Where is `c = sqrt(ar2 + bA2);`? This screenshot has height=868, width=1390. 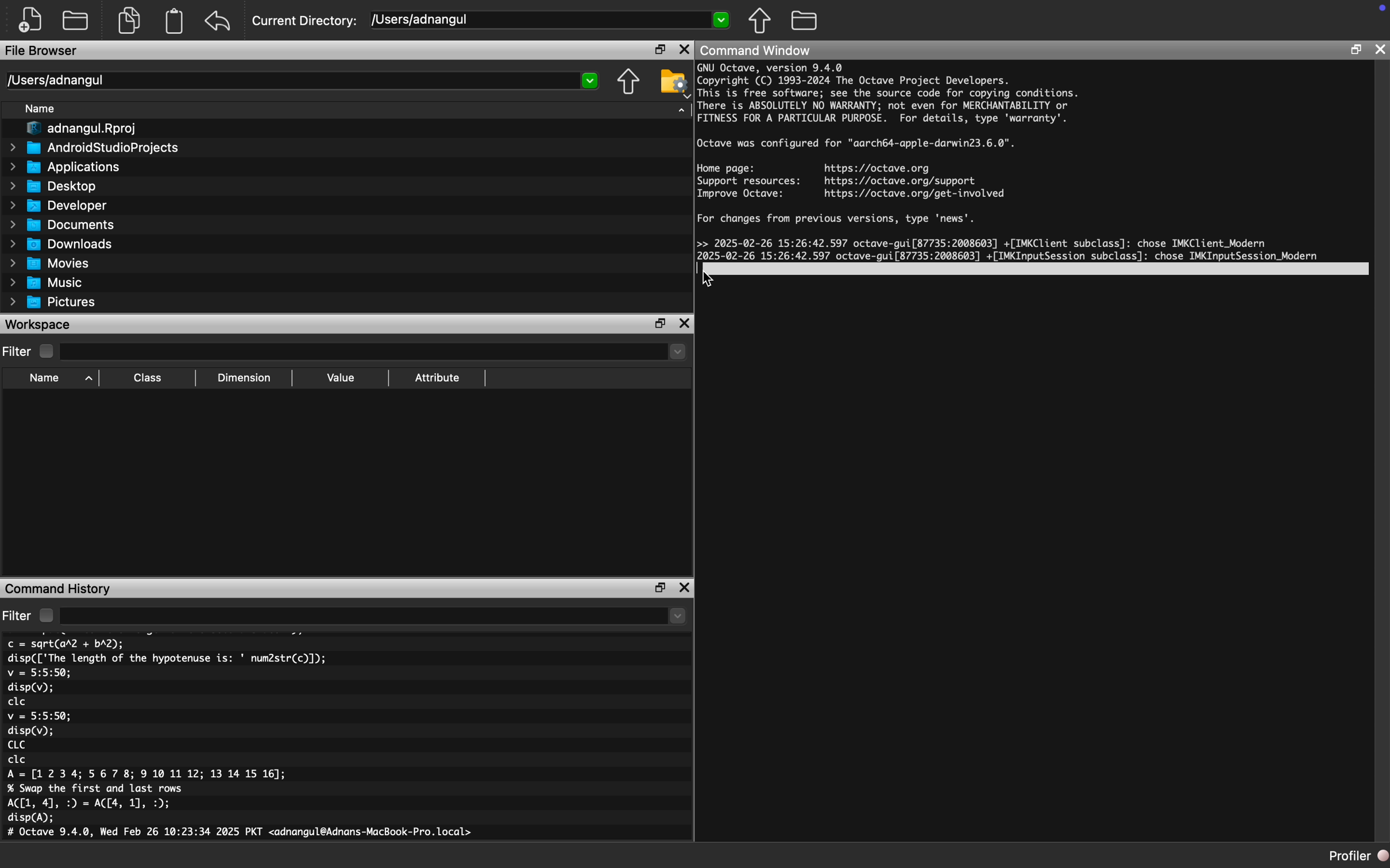
c = sqrt(ar2 + bA2); is located at coordinates (66, 644).